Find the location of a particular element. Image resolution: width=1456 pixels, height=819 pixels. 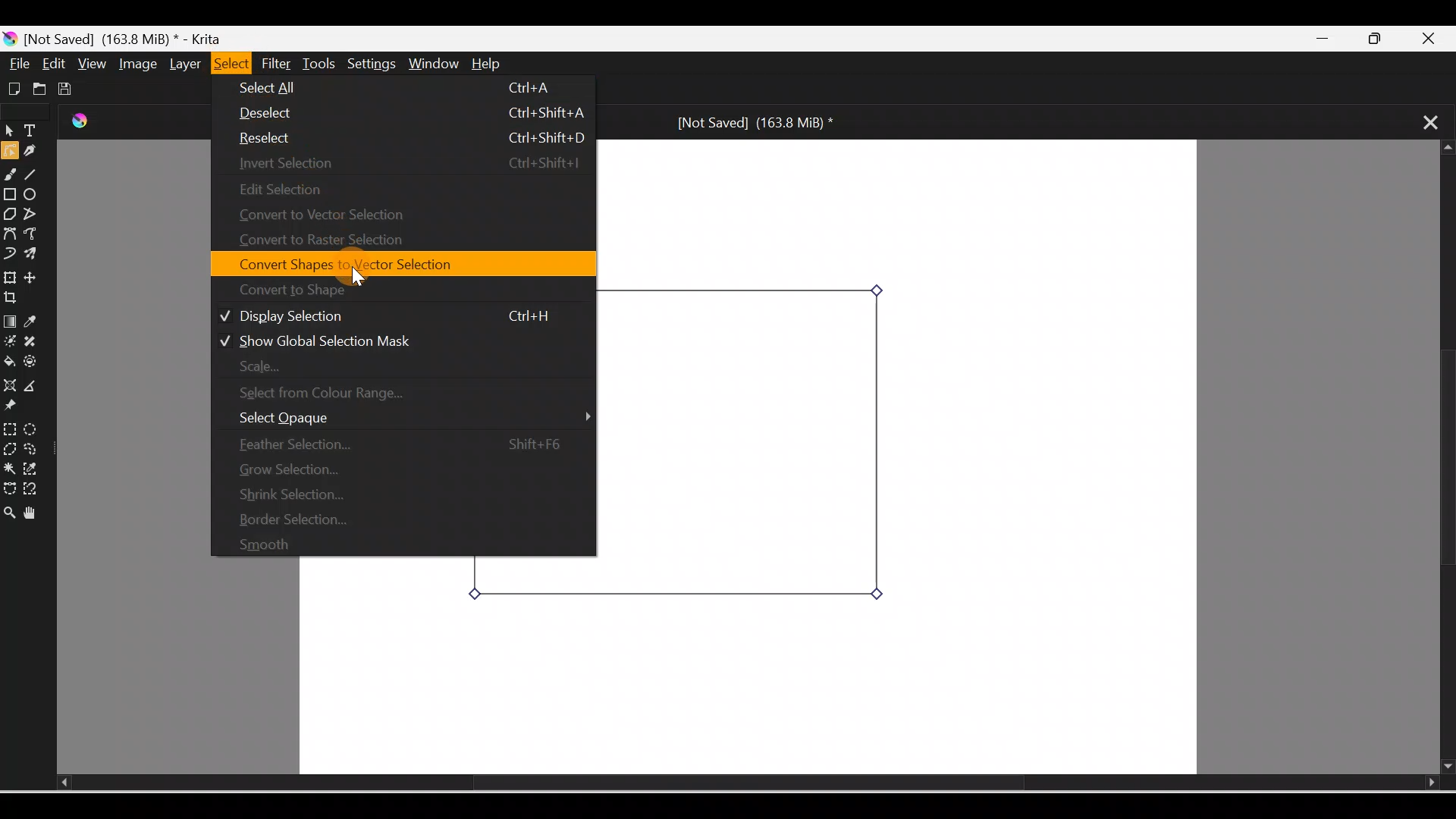

Window is located at coordinates (436, 65).